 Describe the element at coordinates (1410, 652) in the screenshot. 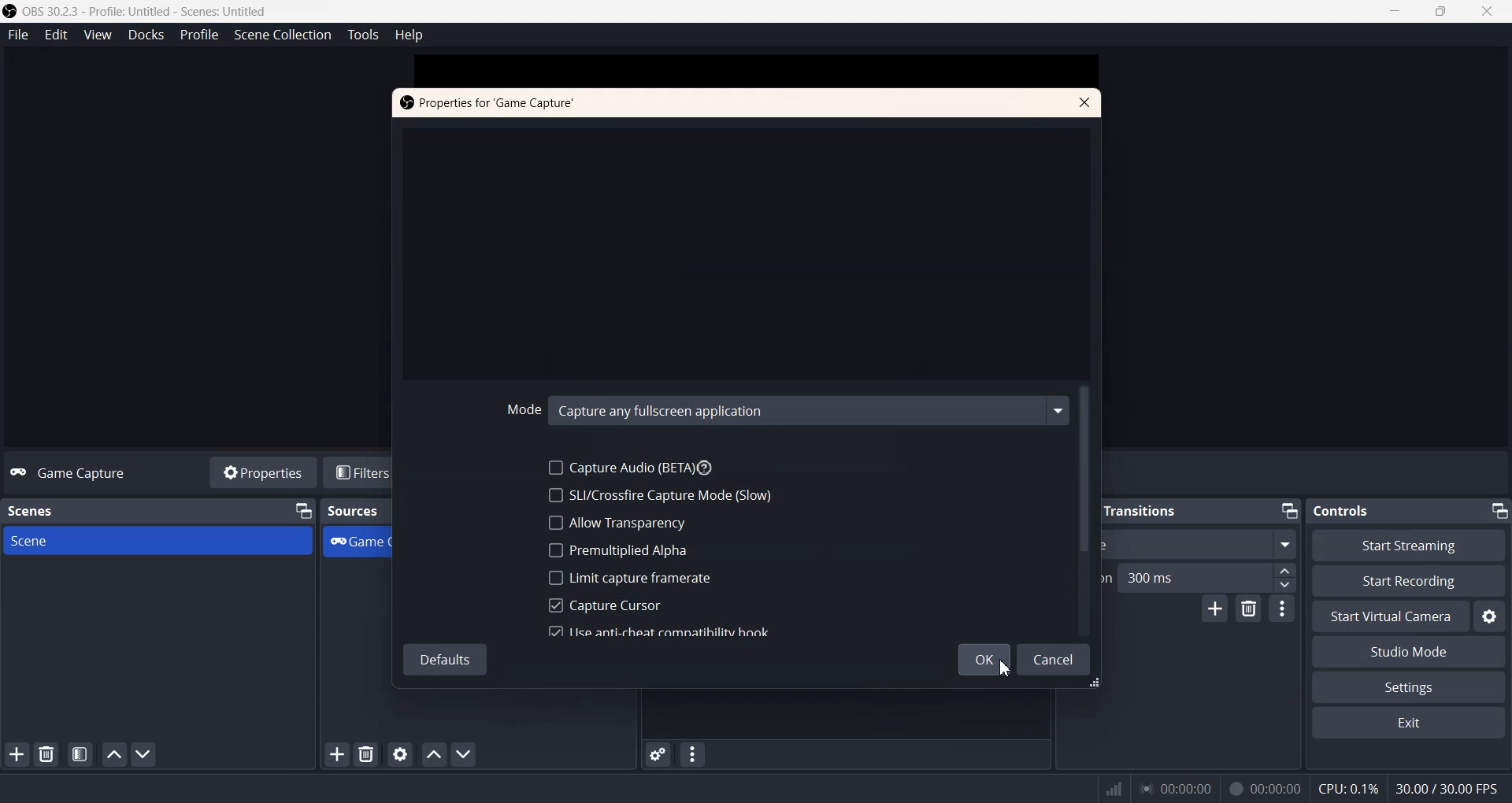

I see `Studio Mode` at that location.